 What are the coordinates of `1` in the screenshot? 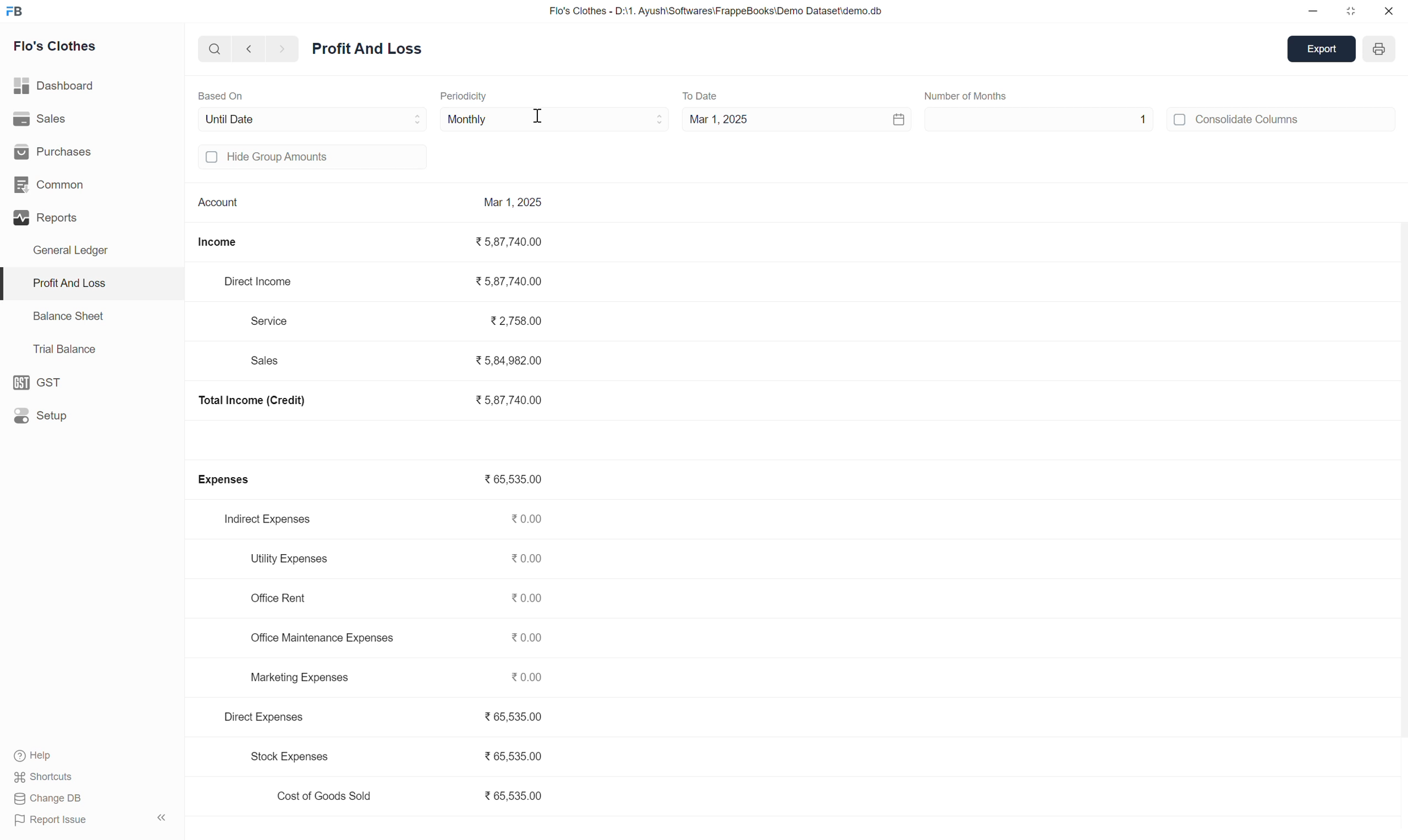 It's located at (1048, 121).